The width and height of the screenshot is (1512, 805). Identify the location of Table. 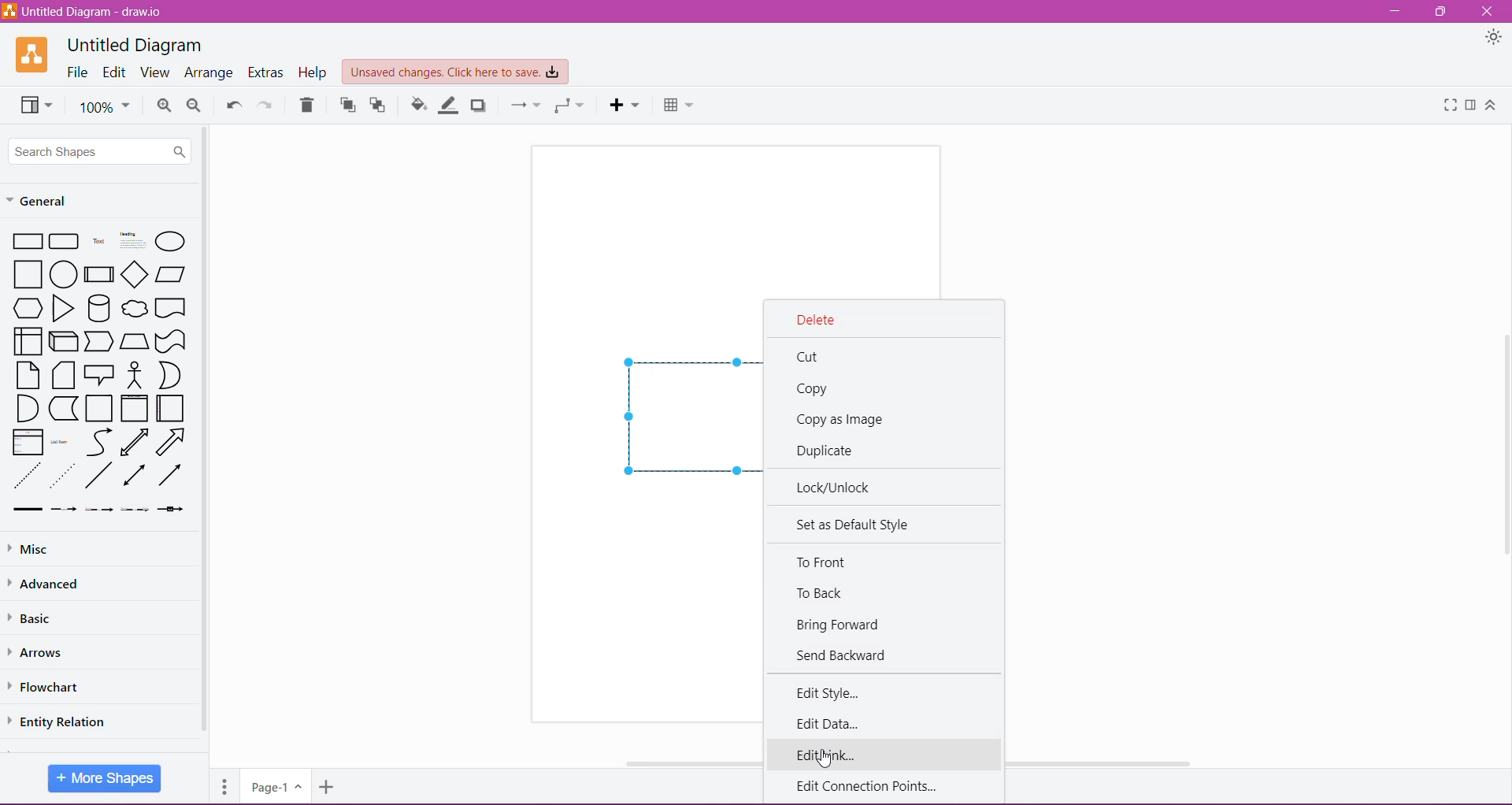
(680, 107).